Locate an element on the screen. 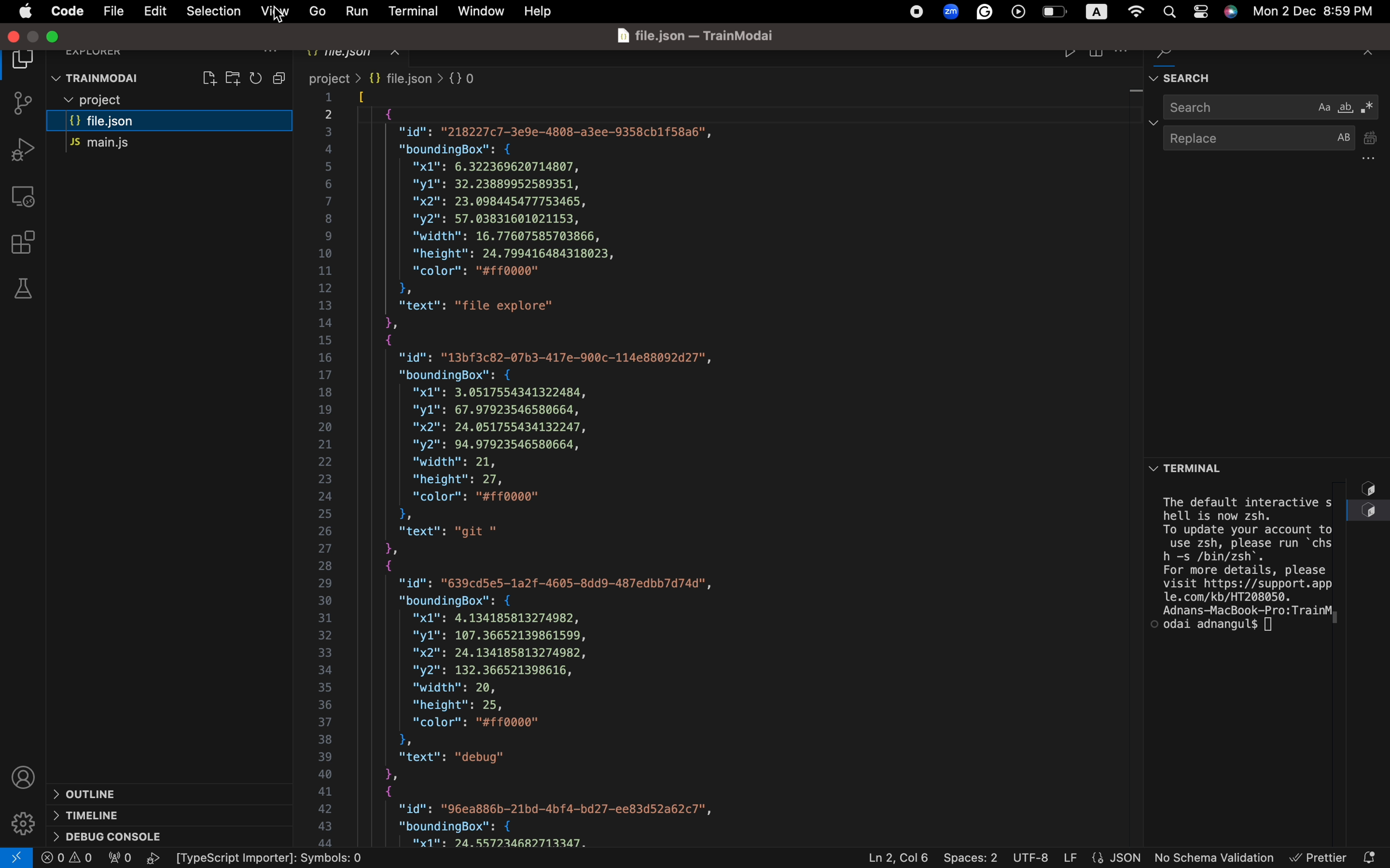 Image resolution: width=1390 pixels, height=868 pixels. git is located at coordinates (18, 105).